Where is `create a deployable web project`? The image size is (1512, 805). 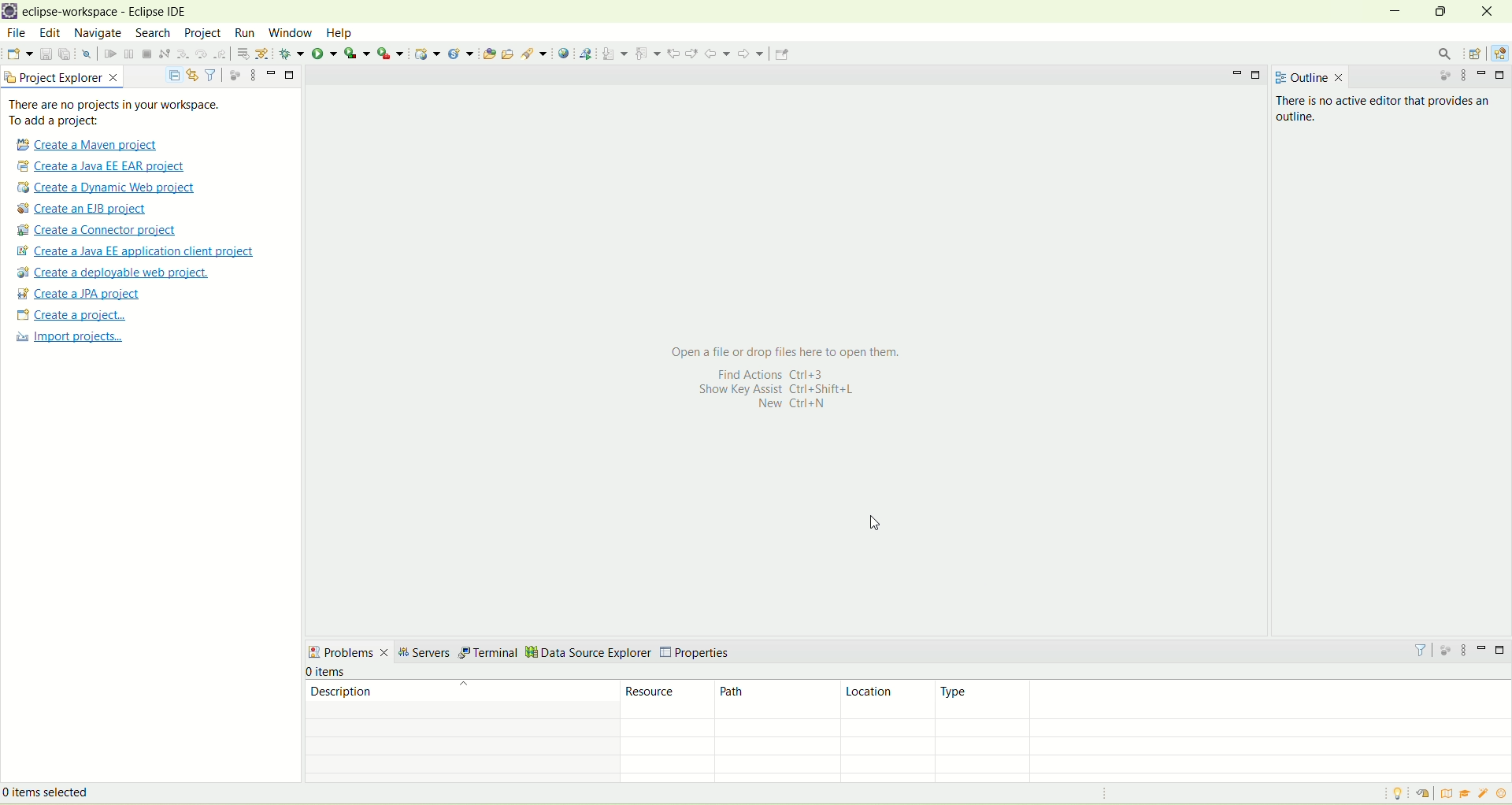 create a deployable web project is located at coordinates (111, 273).